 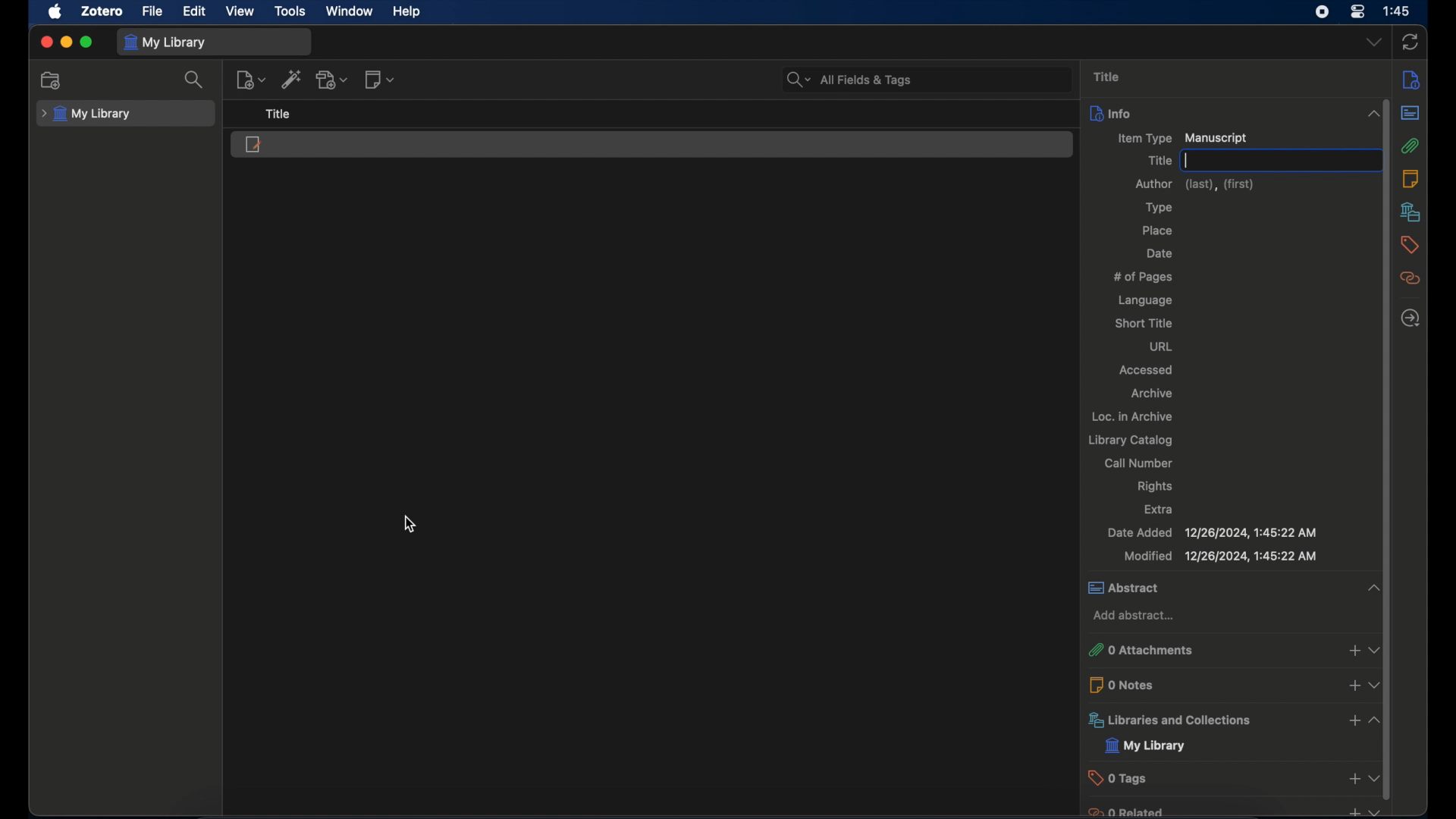 I want to click on modified 12/26/2024, 1:45:22 AM, so click(x=1220, y=556).